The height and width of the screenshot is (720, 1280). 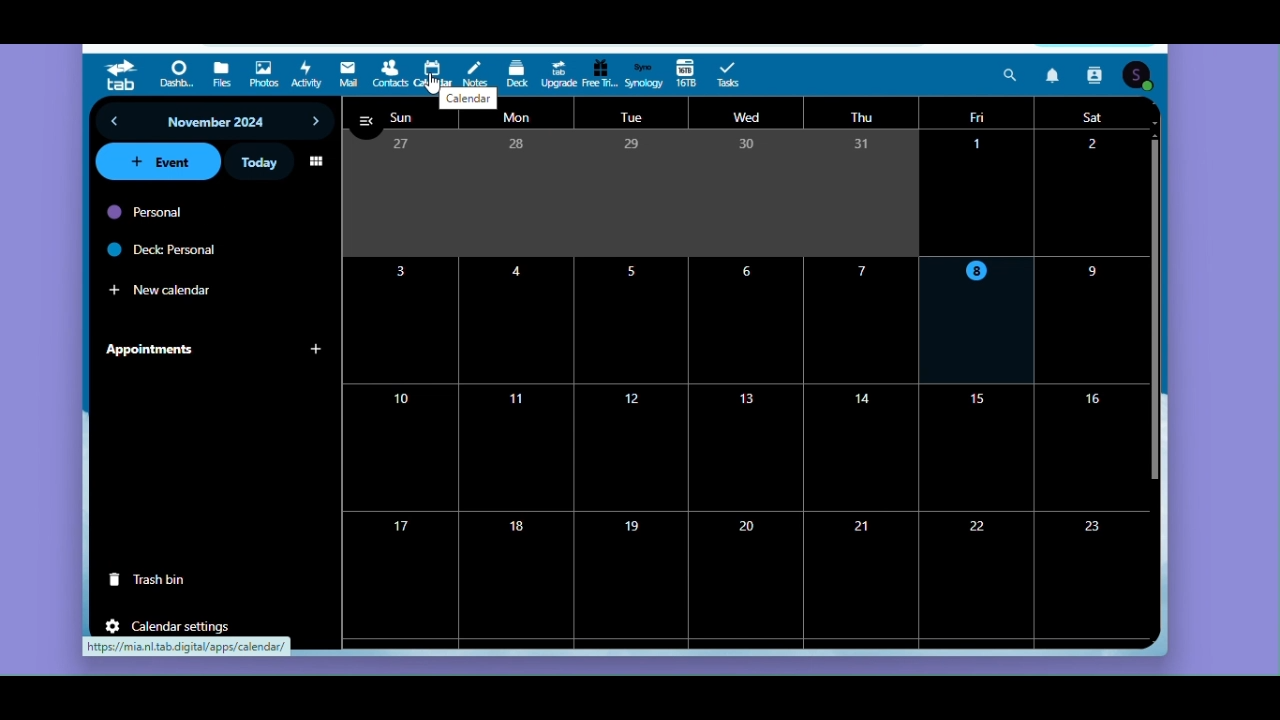 What do you see at coordinates (734, 74) in the screenshot?
I see `Tasks` at bounding box center [734, 74].